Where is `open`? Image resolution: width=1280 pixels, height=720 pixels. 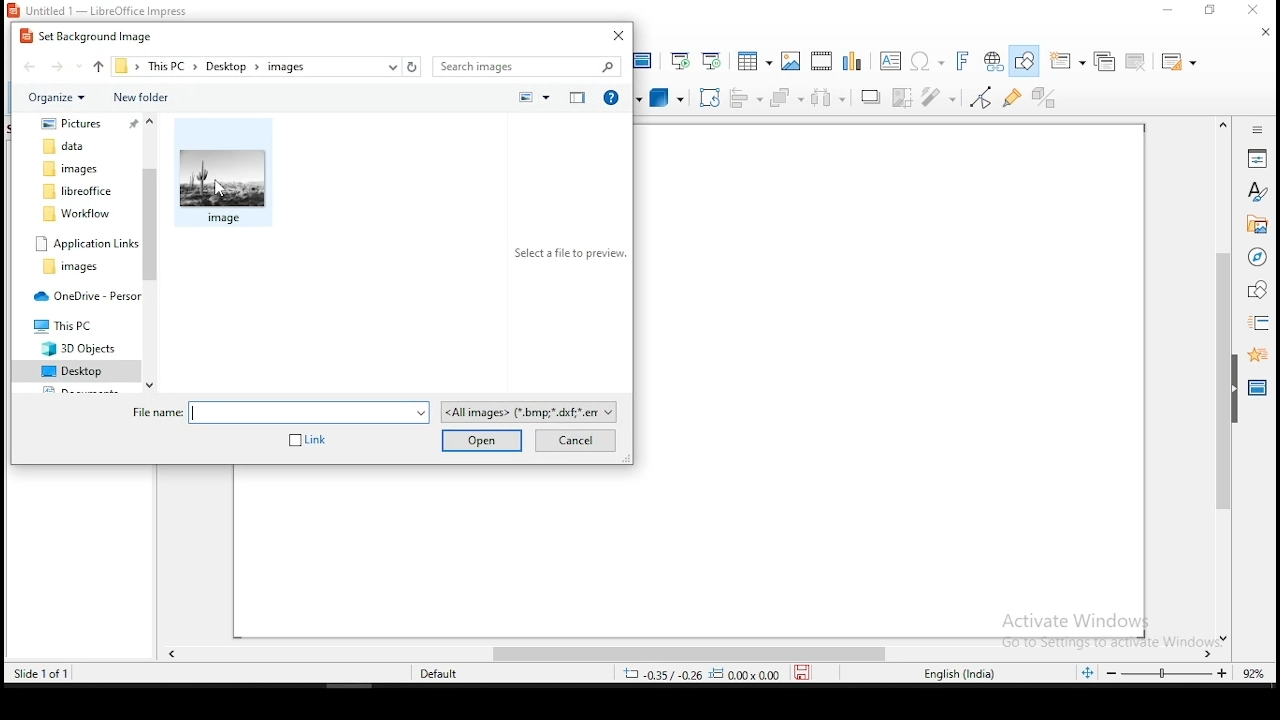
open is located at coordinates (479, 440).